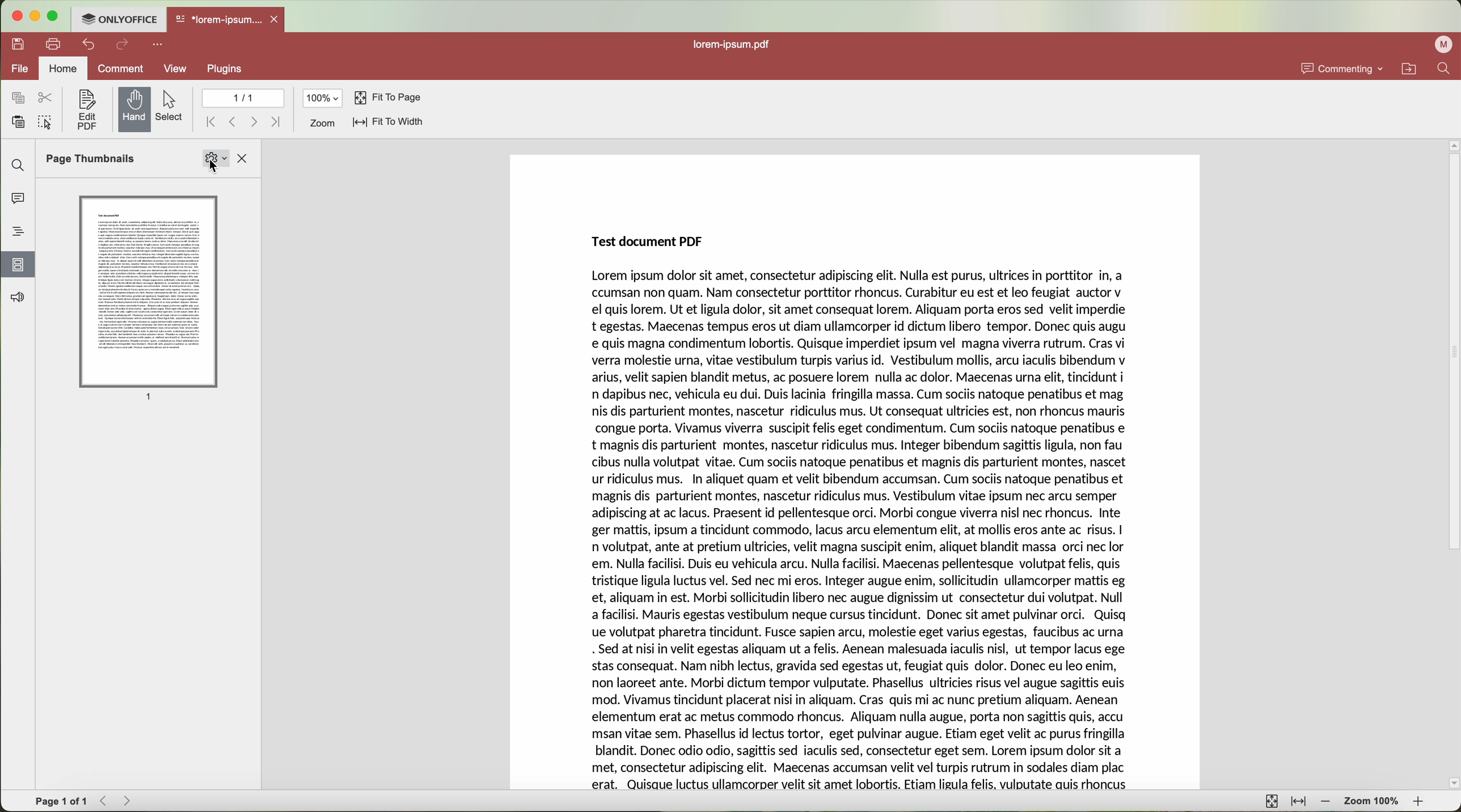 This screenshot has width=1461, height=812. I want to click on view, so click(176, 68).